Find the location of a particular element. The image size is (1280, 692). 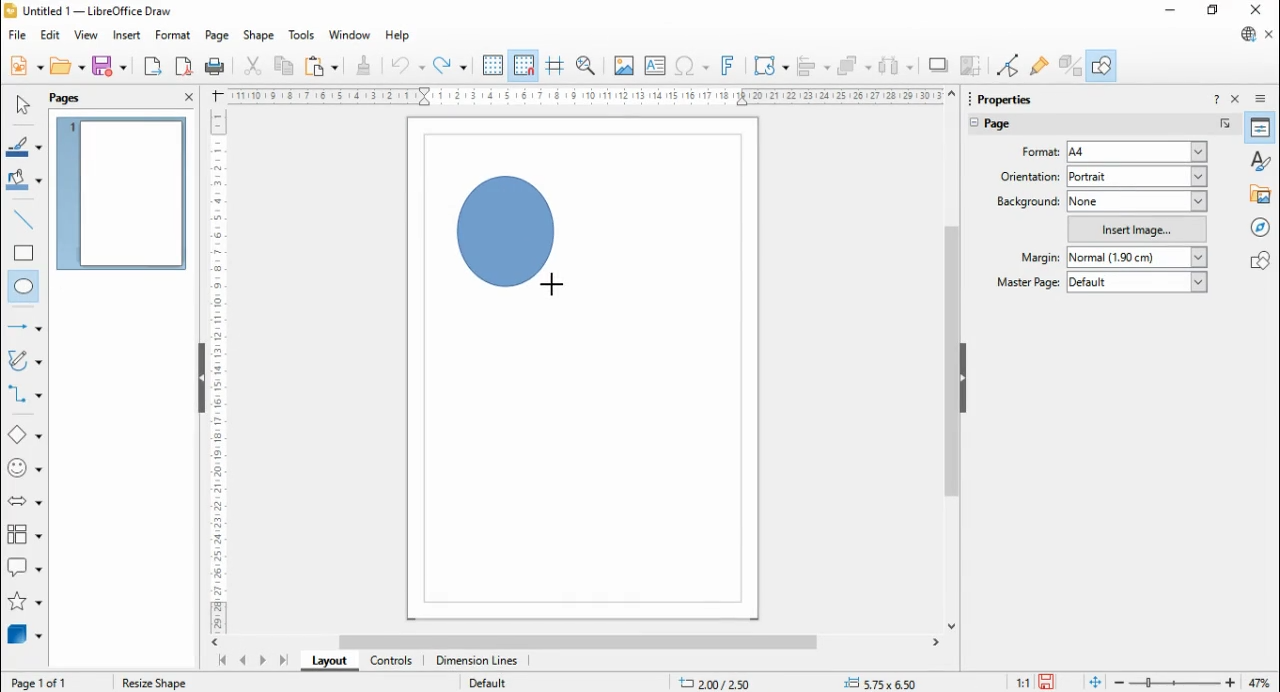

show draw functions is located at coordinates (1101, 65).